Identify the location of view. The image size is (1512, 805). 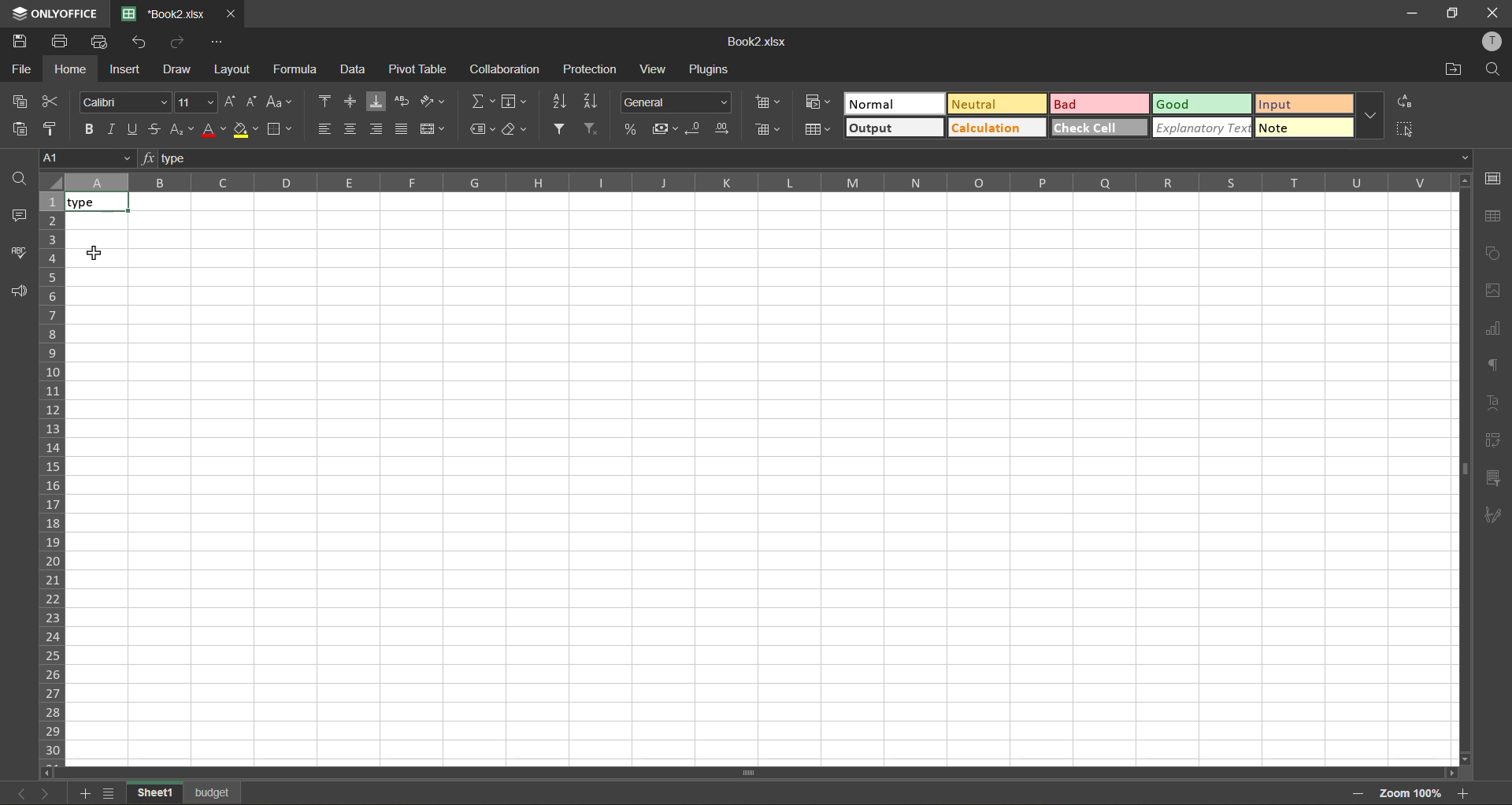
(660, 69).